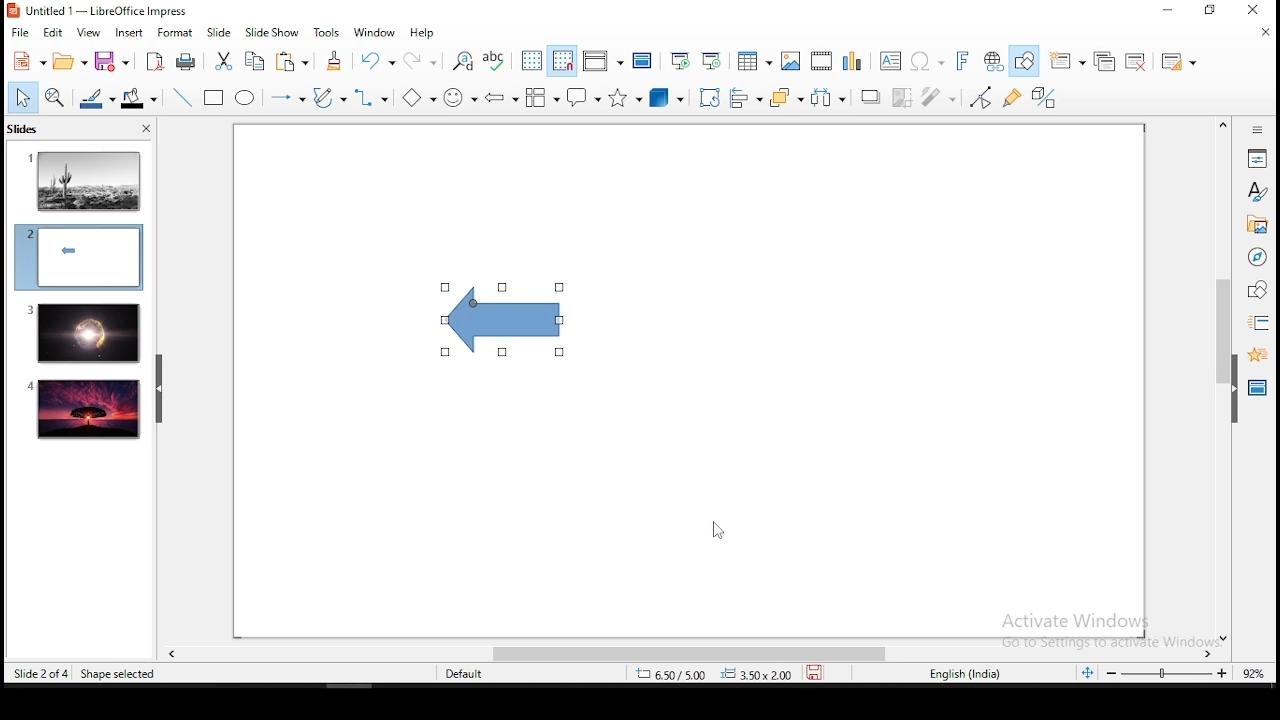 This screenshot has height=720, width=1280. Describe the element at coordinates (584, 98) in the screenshot. I see `callout shapes` at that location.